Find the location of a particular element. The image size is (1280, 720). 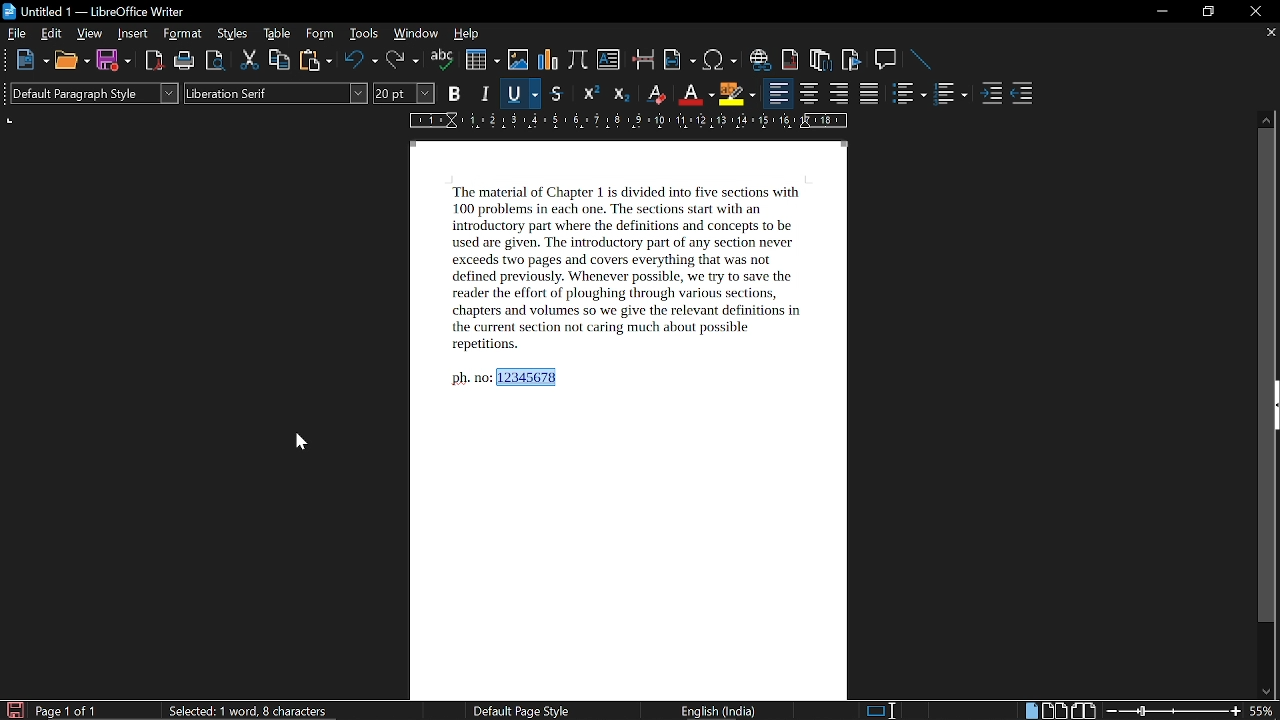

file is located at coordinates (18, 34).